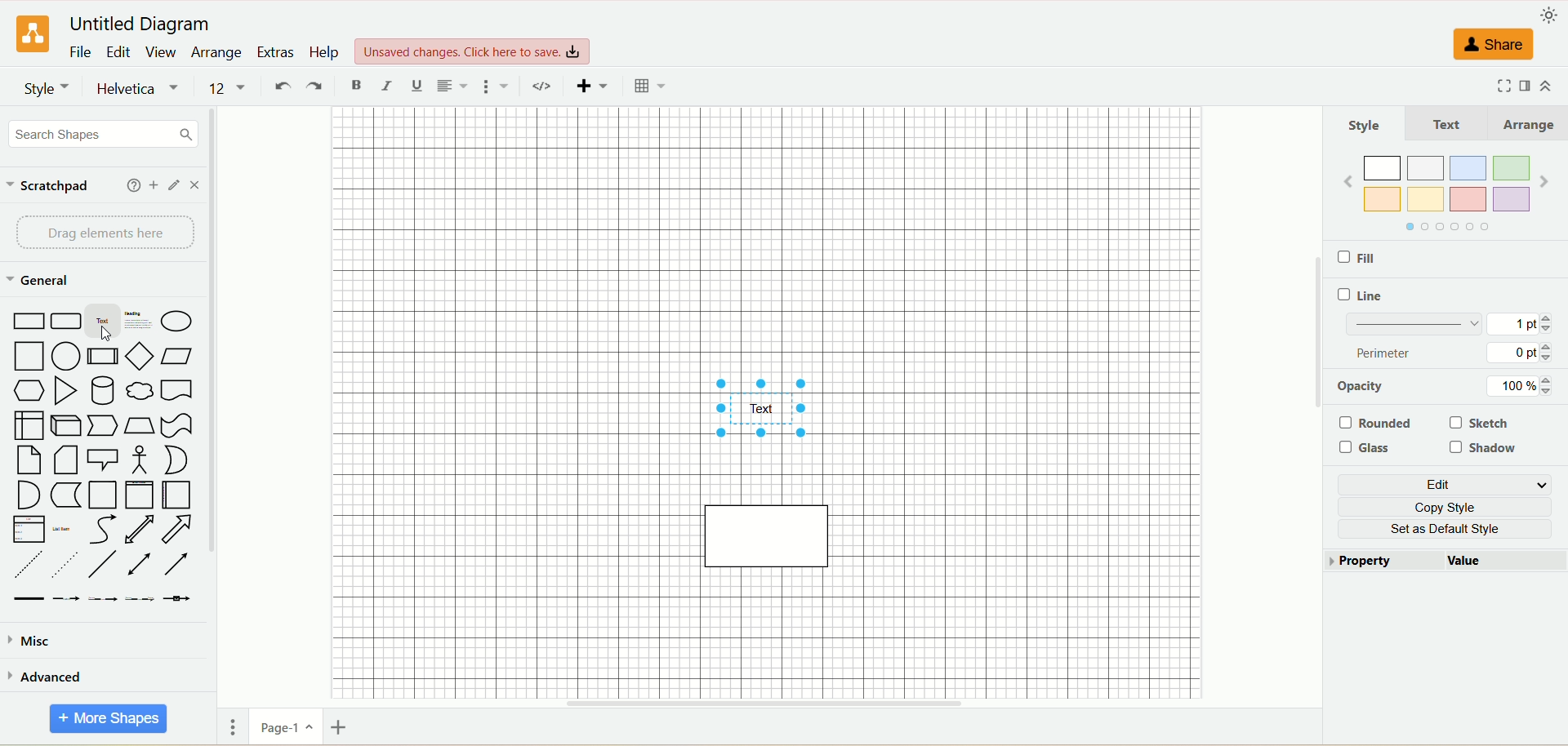  I want to click on document, so click(176, 390).